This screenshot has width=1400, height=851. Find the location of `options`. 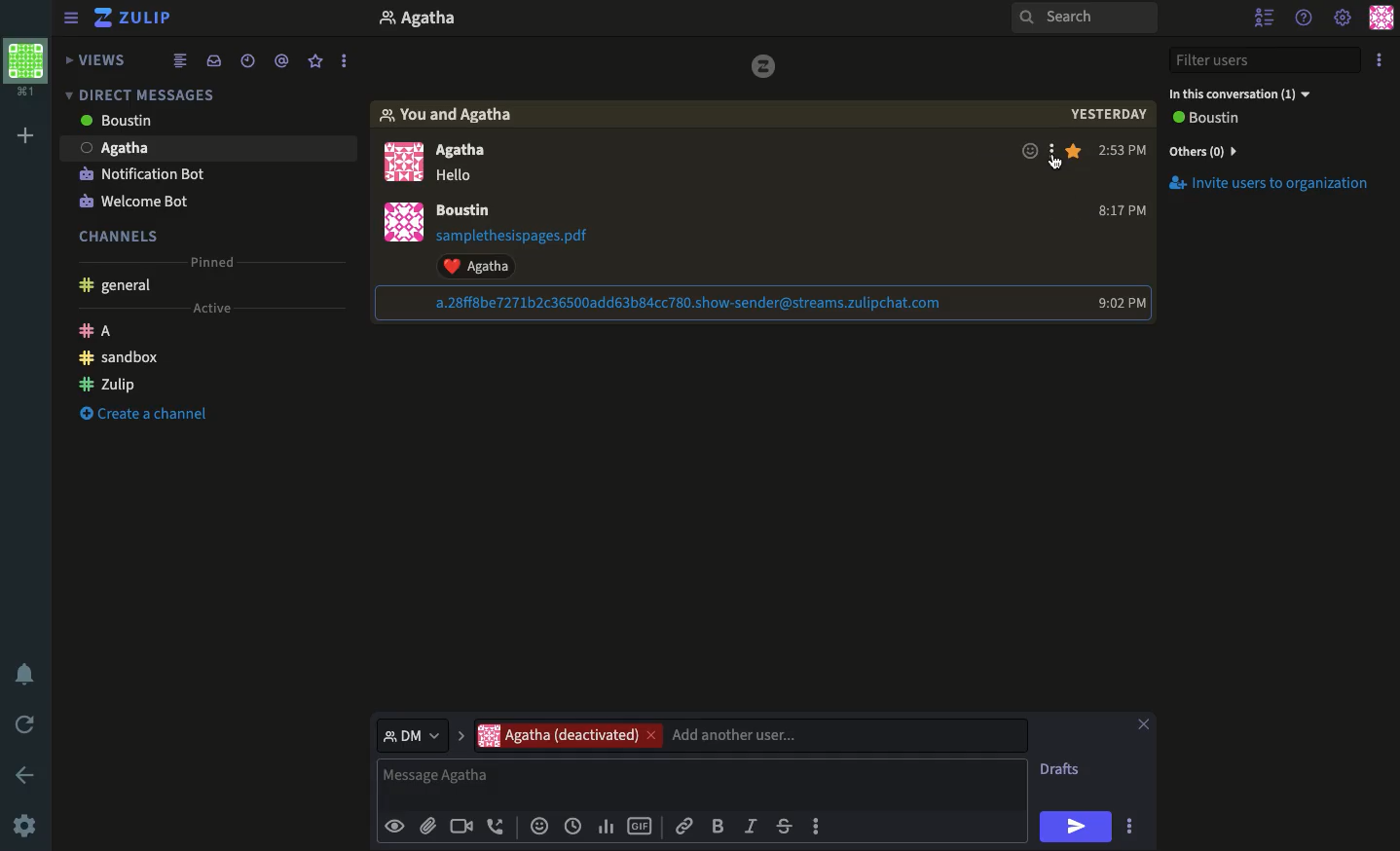

options is located at coordinates (346, 56).